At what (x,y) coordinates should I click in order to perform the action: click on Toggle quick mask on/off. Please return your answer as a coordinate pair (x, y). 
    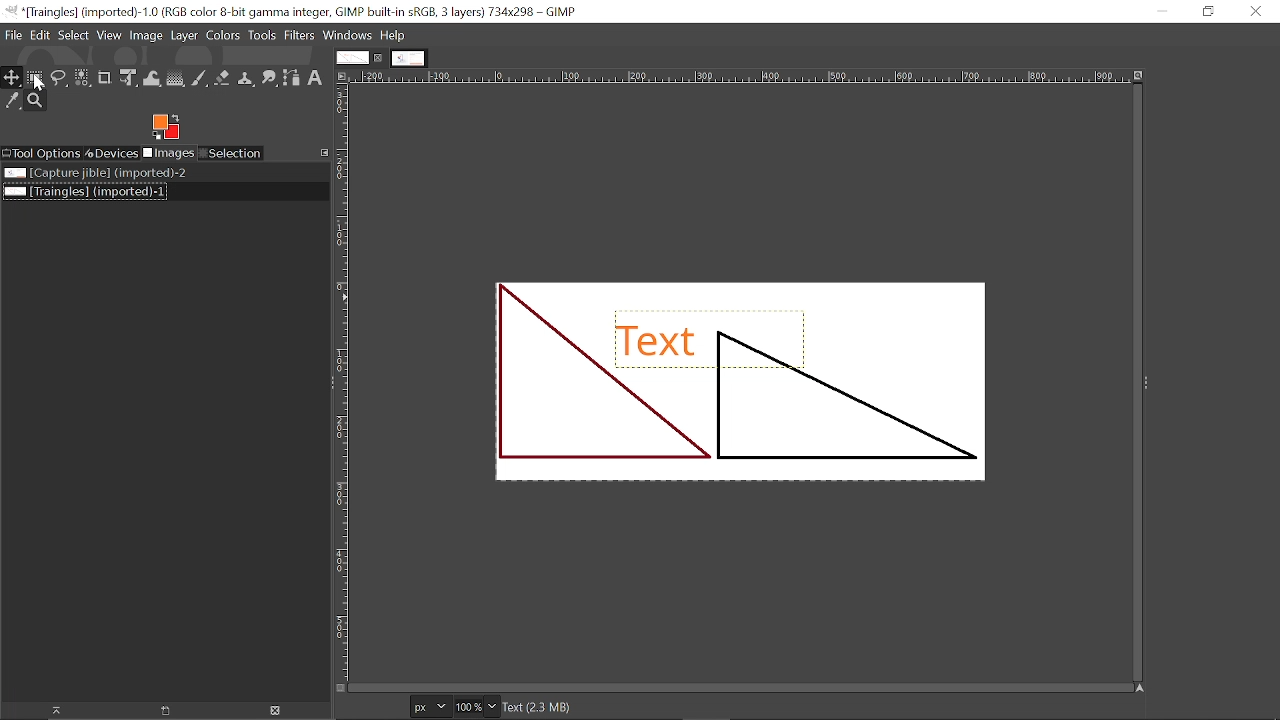
    Looking at the image, I should click on (341, 689).